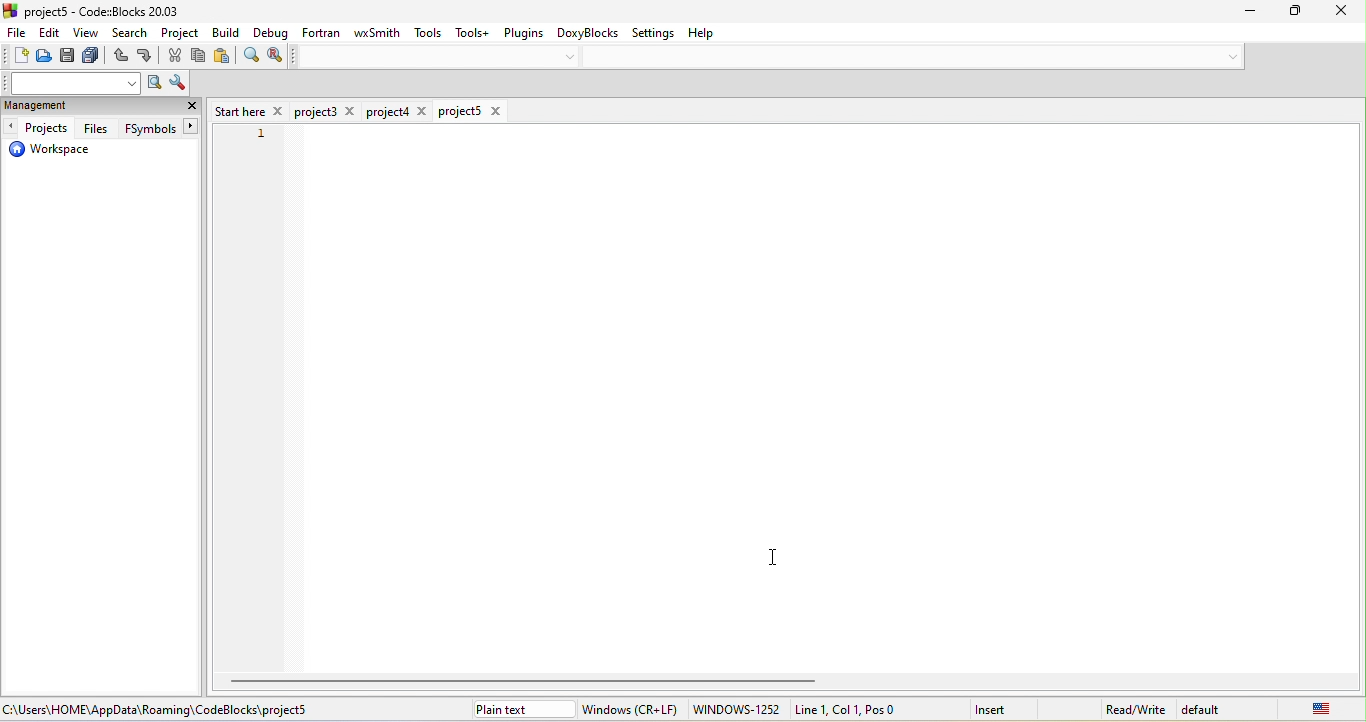 This screenshot has width=1366, height=722. I want to click on plugins, so click(522, 31).